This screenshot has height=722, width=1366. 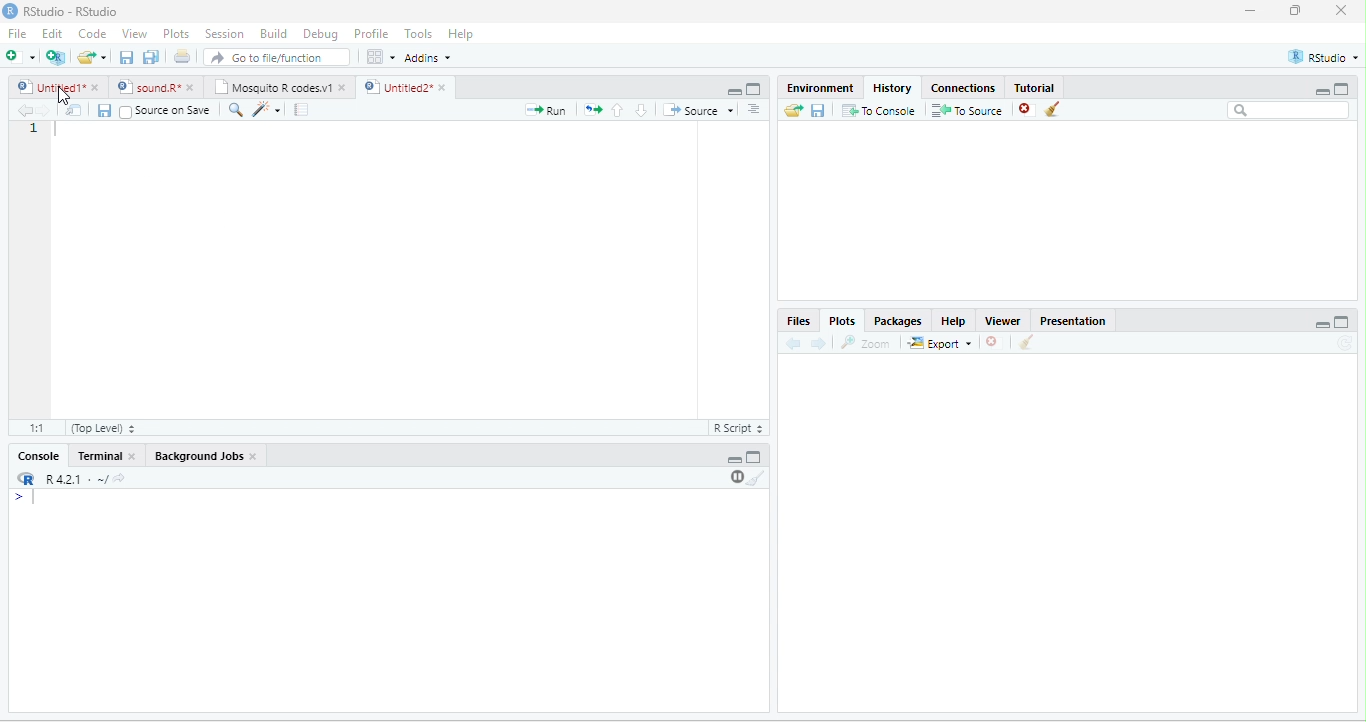 I want to click on down, so click(x=641, y=110).